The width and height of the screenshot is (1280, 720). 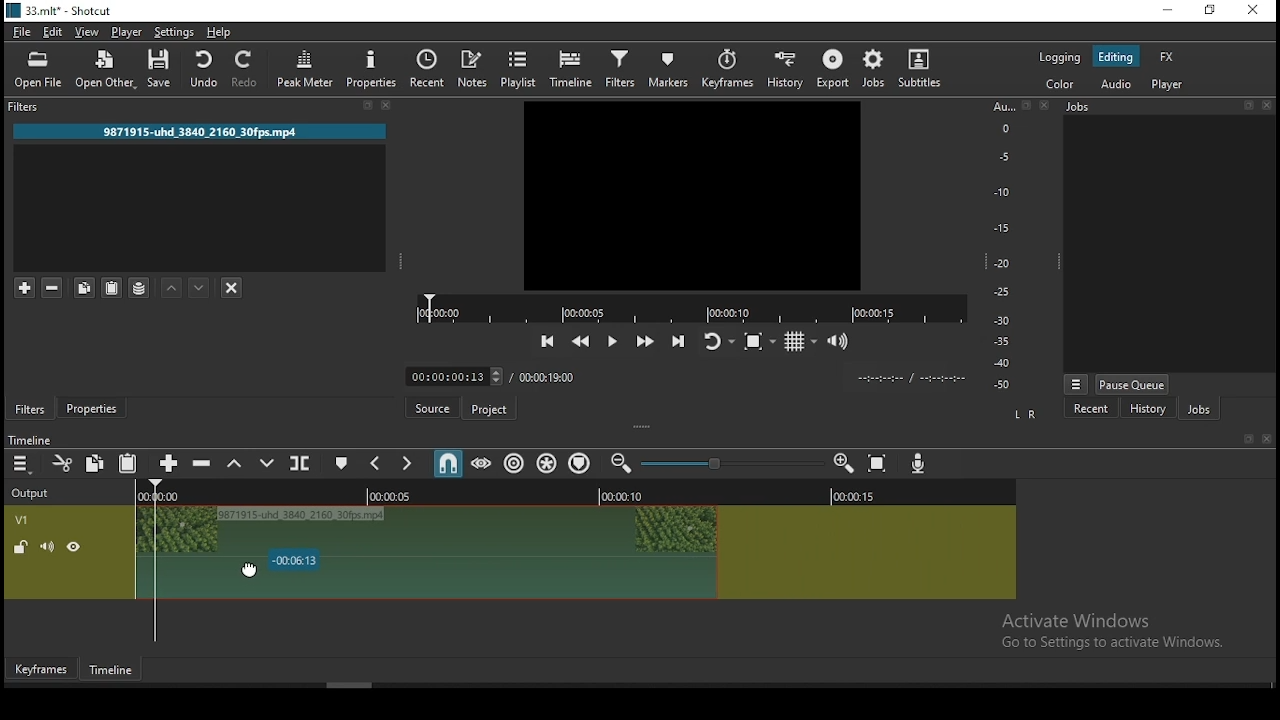 I want to click on video track, so click(x=867, y=542).